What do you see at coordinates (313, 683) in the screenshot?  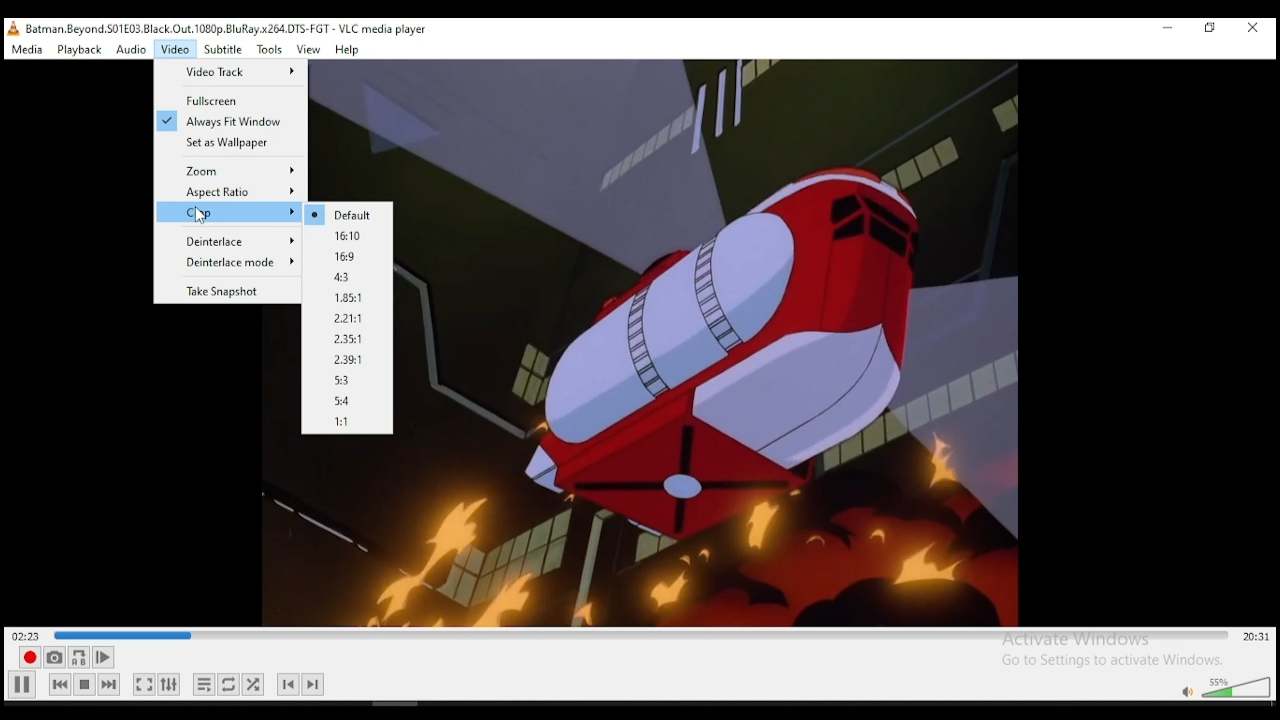 I see `next chapter` at bounding box center [313, 683].